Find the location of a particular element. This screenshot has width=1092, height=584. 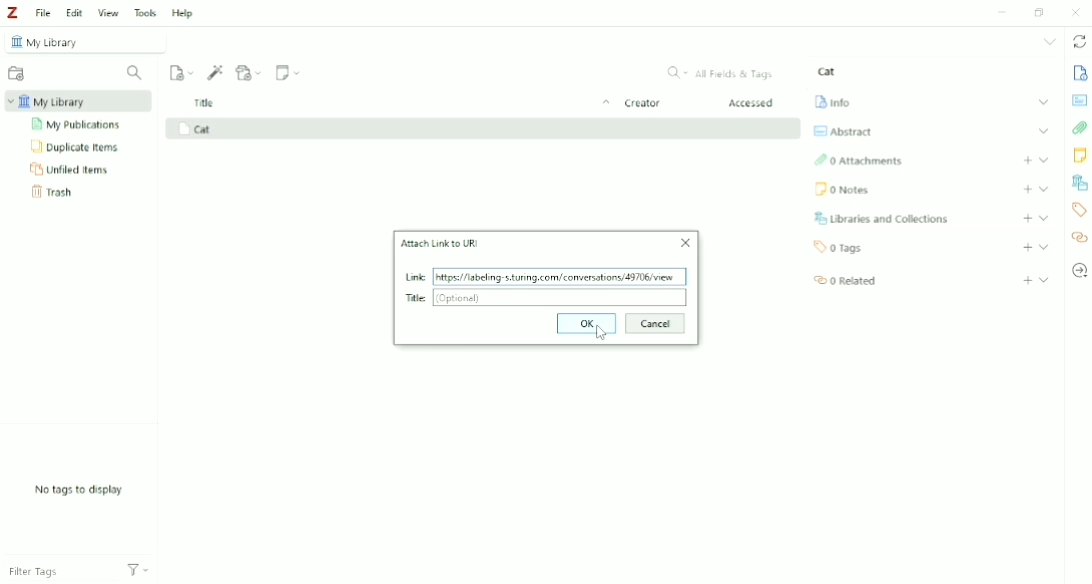

Title is located at coordinates (412, 299).